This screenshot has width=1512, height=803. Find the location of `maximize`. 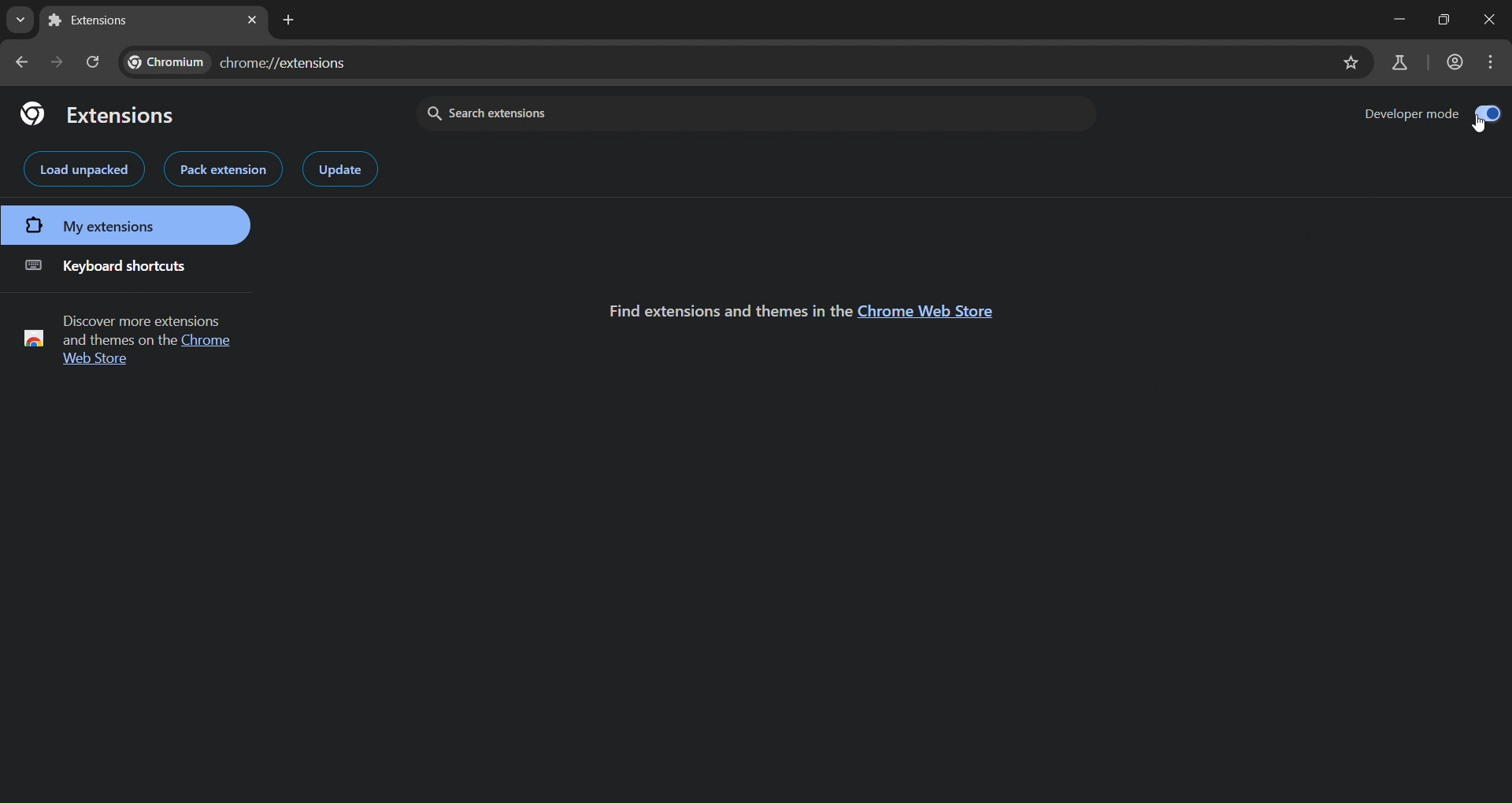

maximize is located at coordinates (1495, 17).